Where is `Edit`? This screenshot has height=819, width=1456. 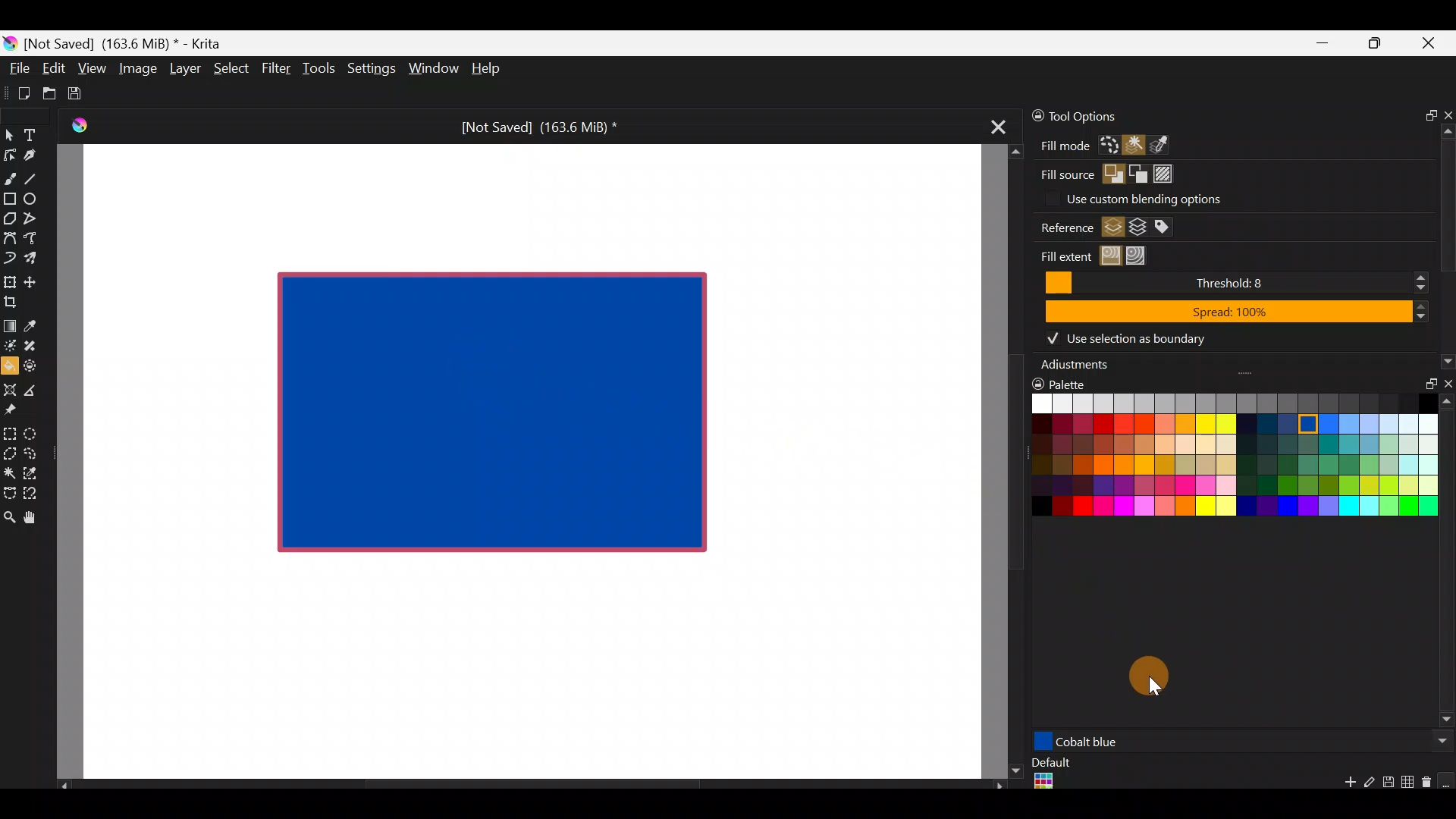
Edit is located at coordinates (53, 69).